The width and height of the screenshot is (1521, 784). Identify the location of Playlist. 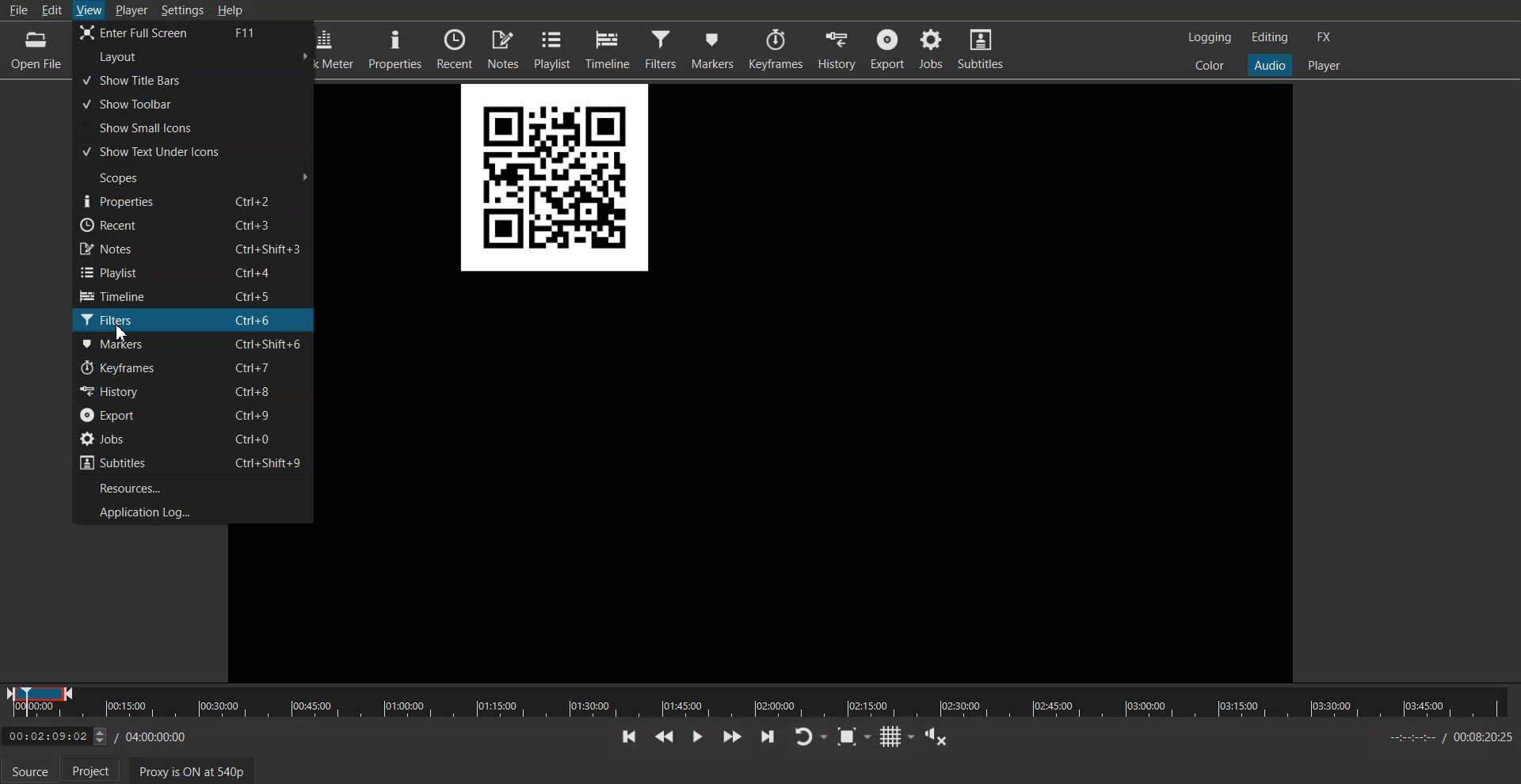
(193, 272).